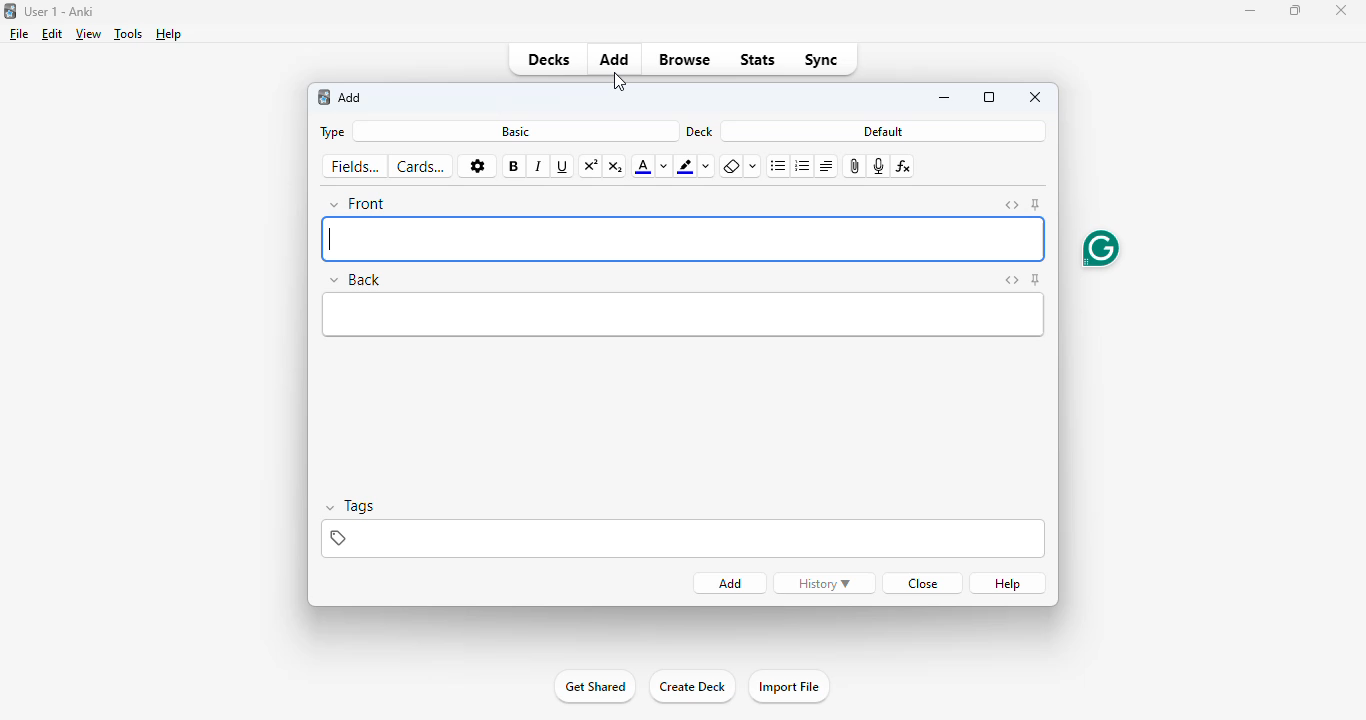  Describe the element at coordinates (946, 99) in the screenshot. I see `minimize` at that location.